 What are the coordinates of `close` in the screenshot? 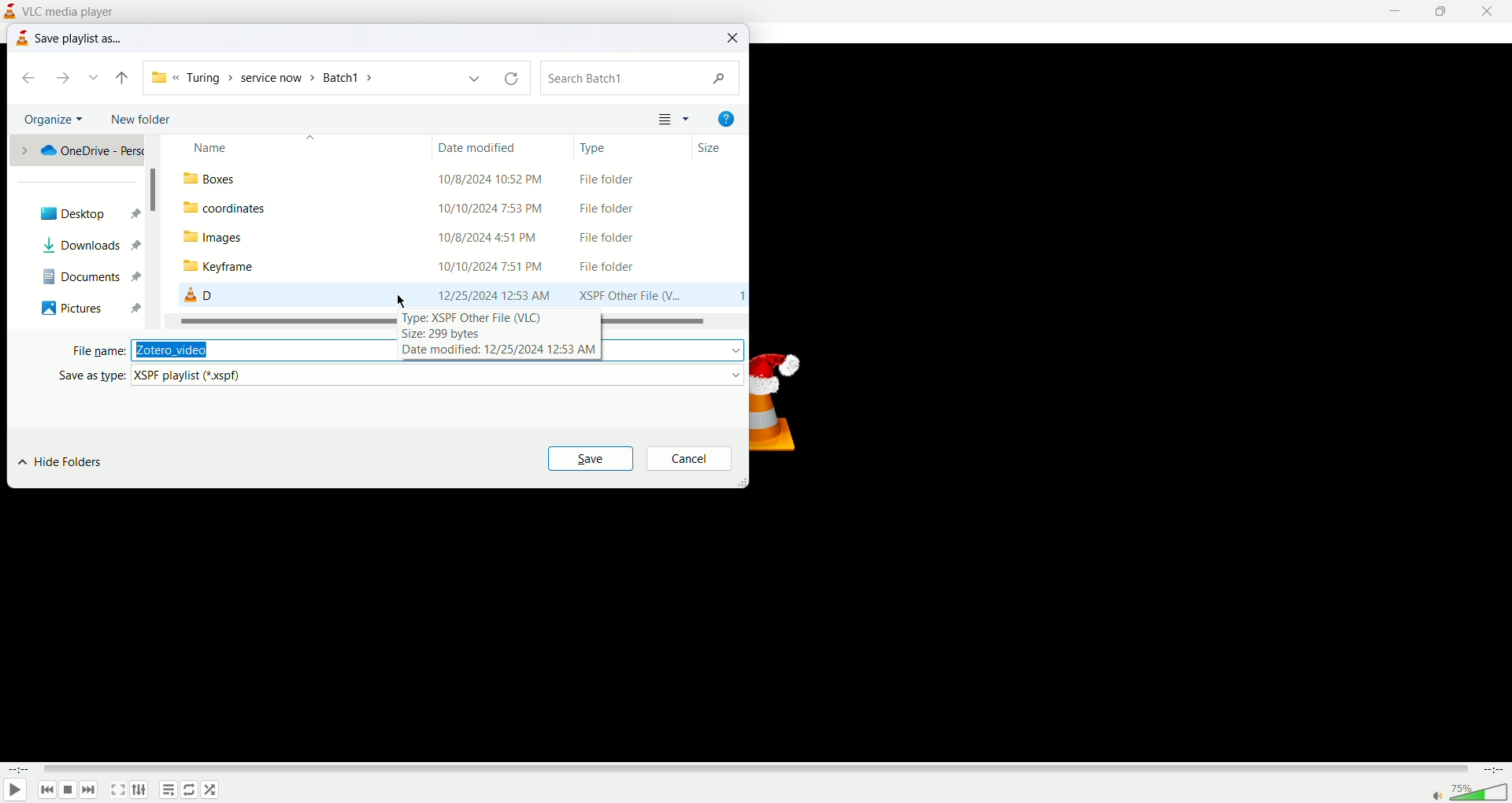 It's located at (734, 38).